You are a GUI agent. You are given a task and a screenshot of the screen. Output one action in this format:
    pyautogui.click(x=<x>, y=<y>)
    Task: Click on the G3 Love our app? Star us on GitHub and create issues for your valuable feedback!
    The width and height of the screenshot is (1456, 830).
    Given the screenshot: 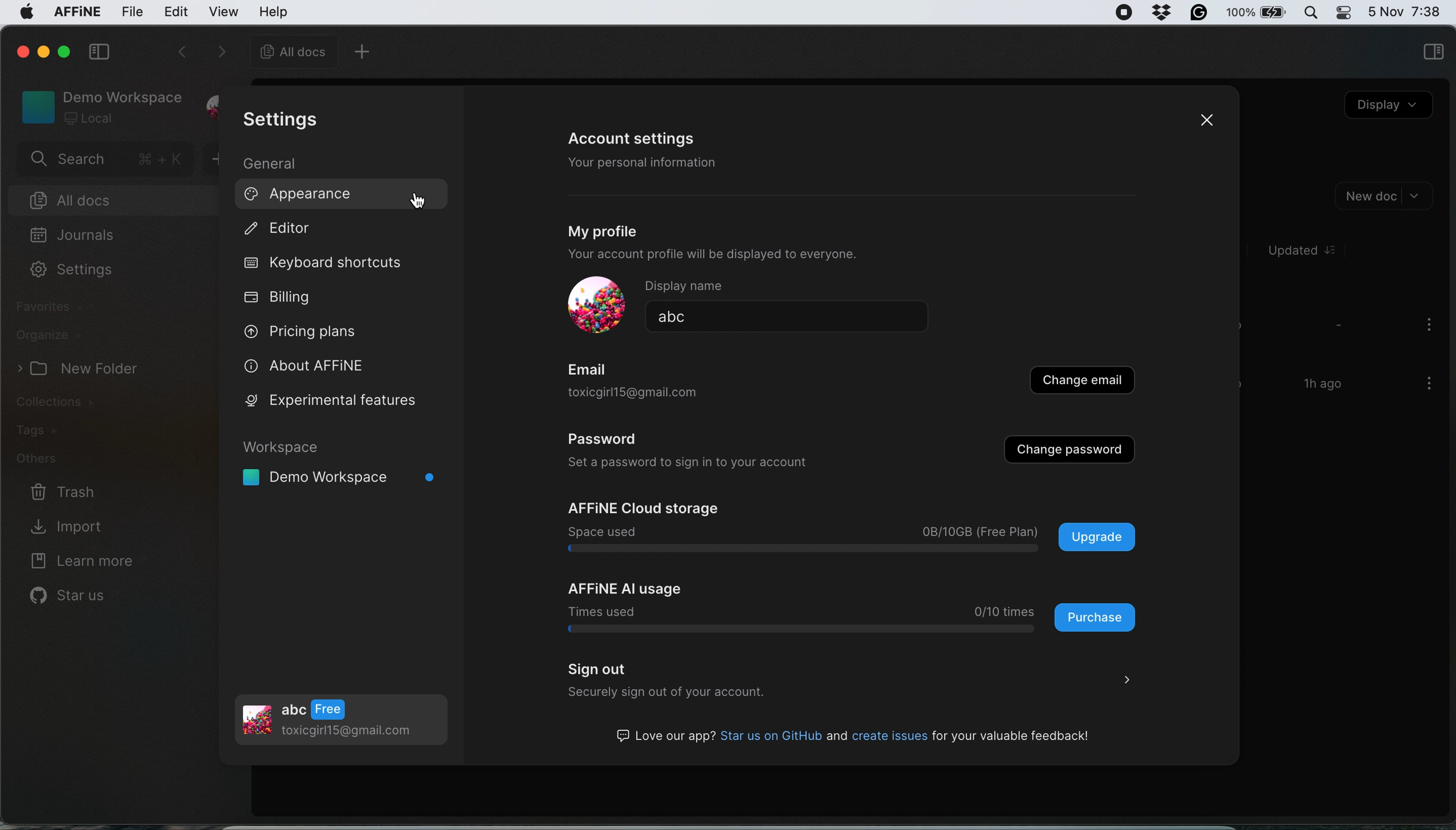 What is the action you would take?
    pyautogui.click(x=890, y=738)
    